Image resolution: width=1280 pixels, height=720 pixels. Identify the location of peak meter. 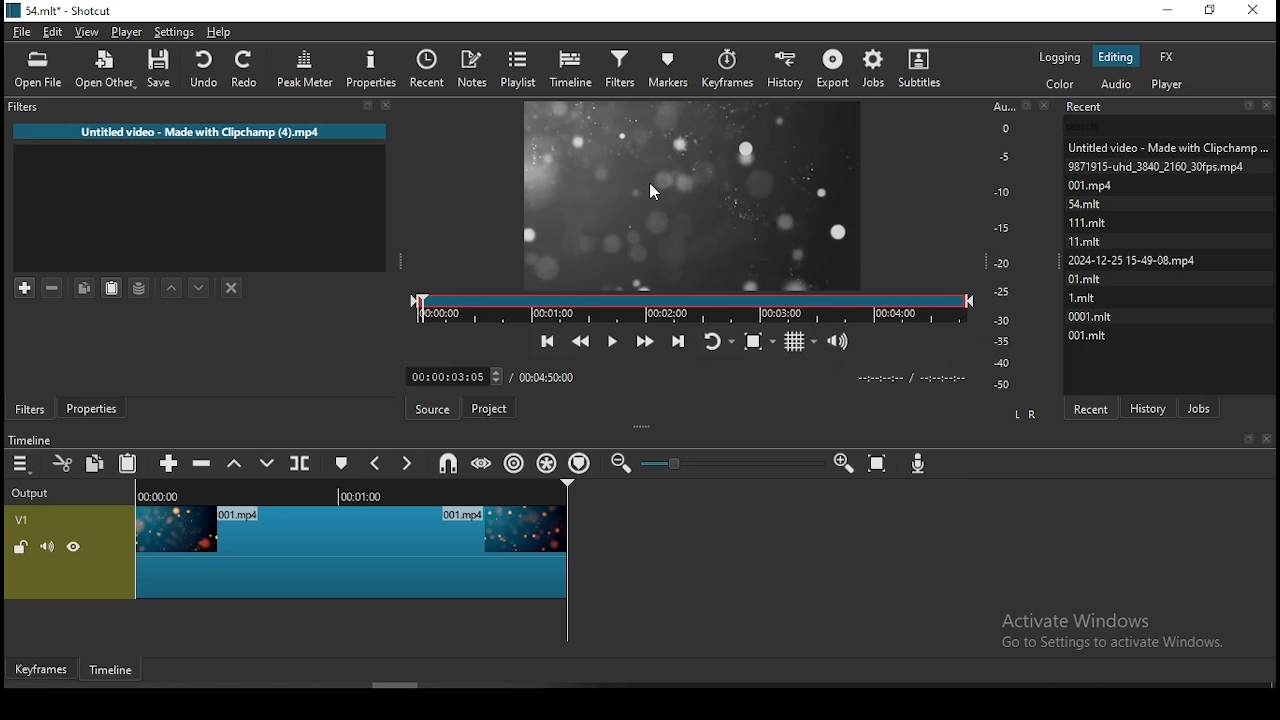
(305, 72).